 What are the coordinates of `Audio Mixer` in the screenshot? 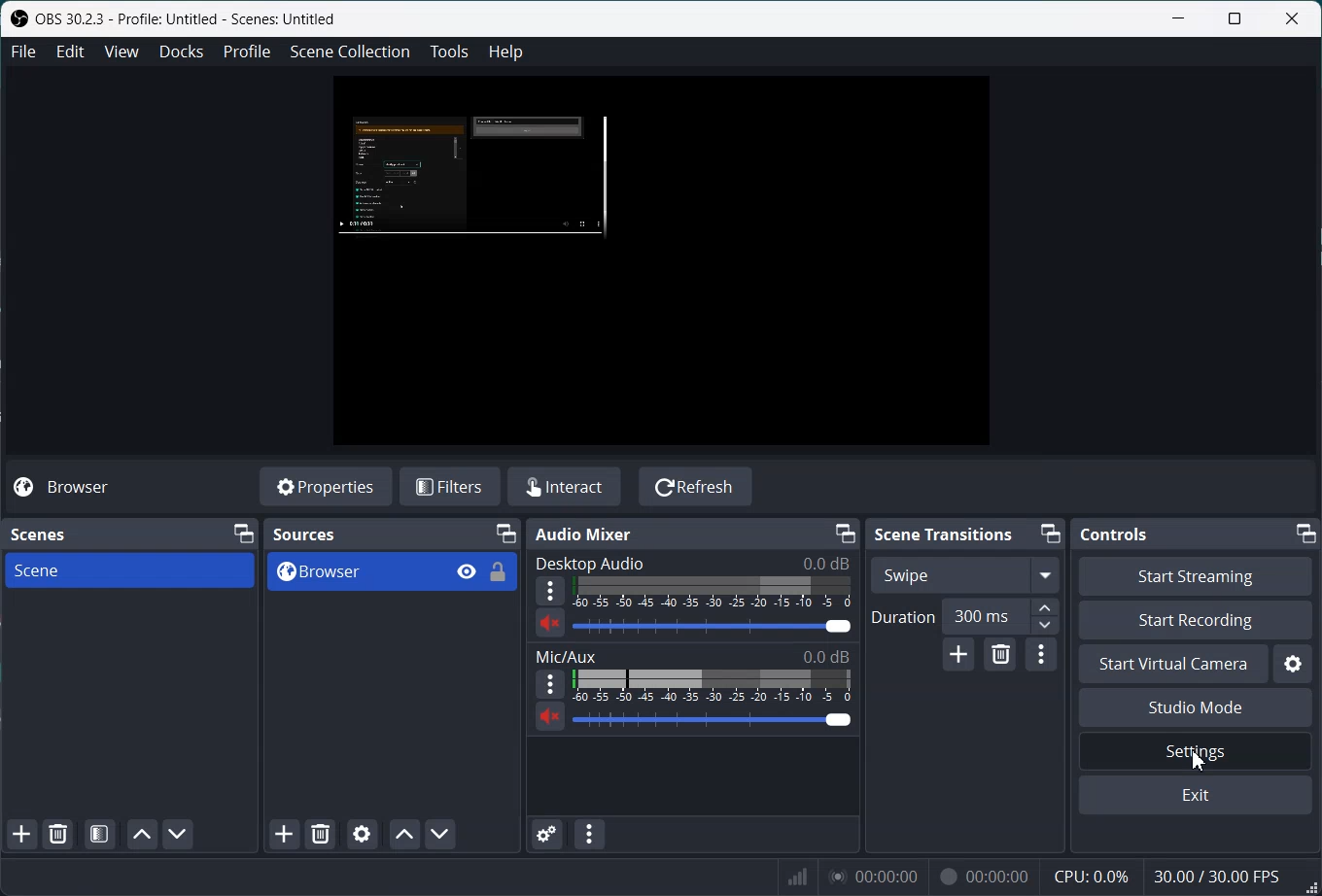 It's located at (585, 534).